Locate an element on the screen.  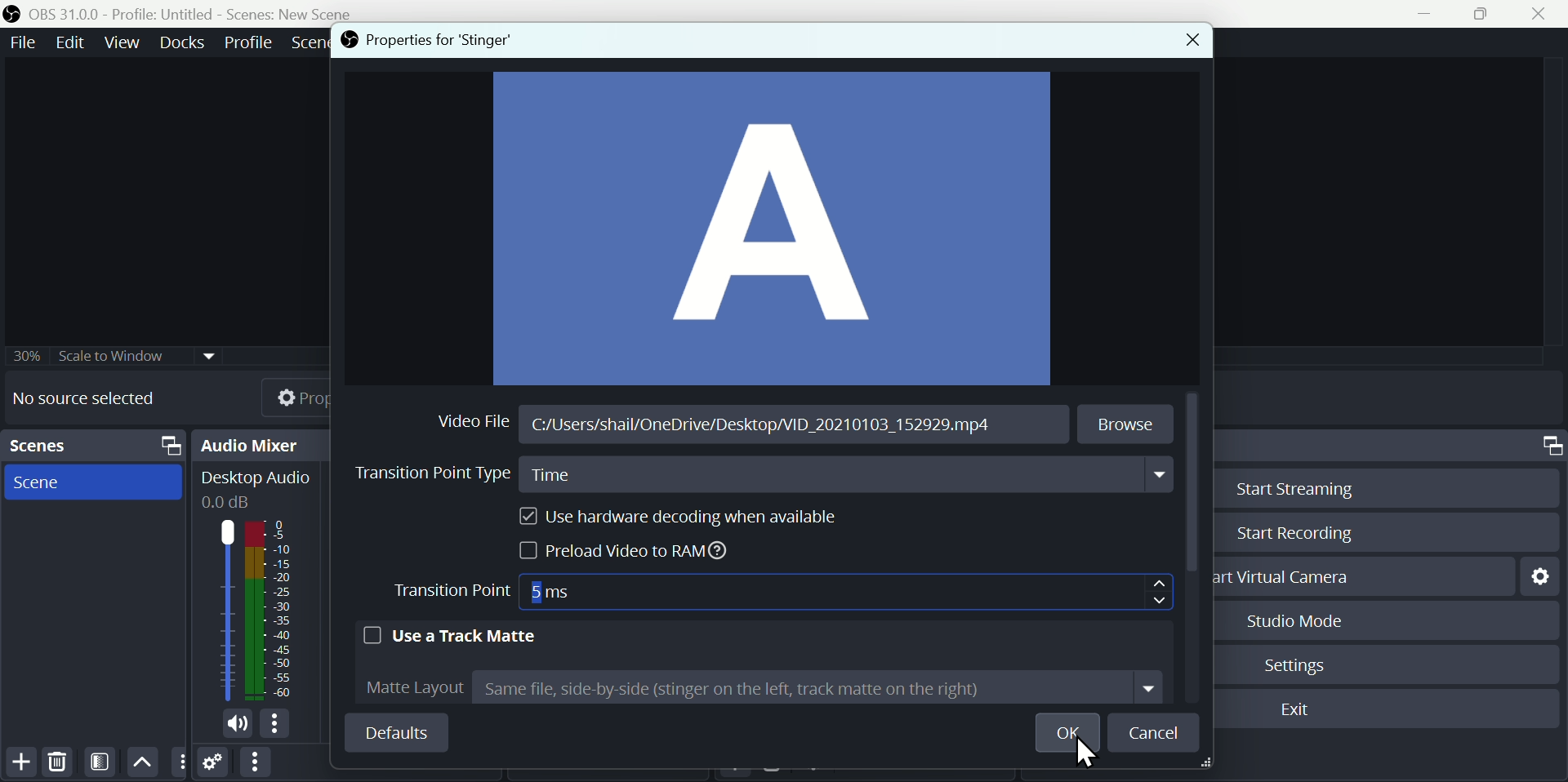
Start virtual camera is located at coordinates (1291, 576).